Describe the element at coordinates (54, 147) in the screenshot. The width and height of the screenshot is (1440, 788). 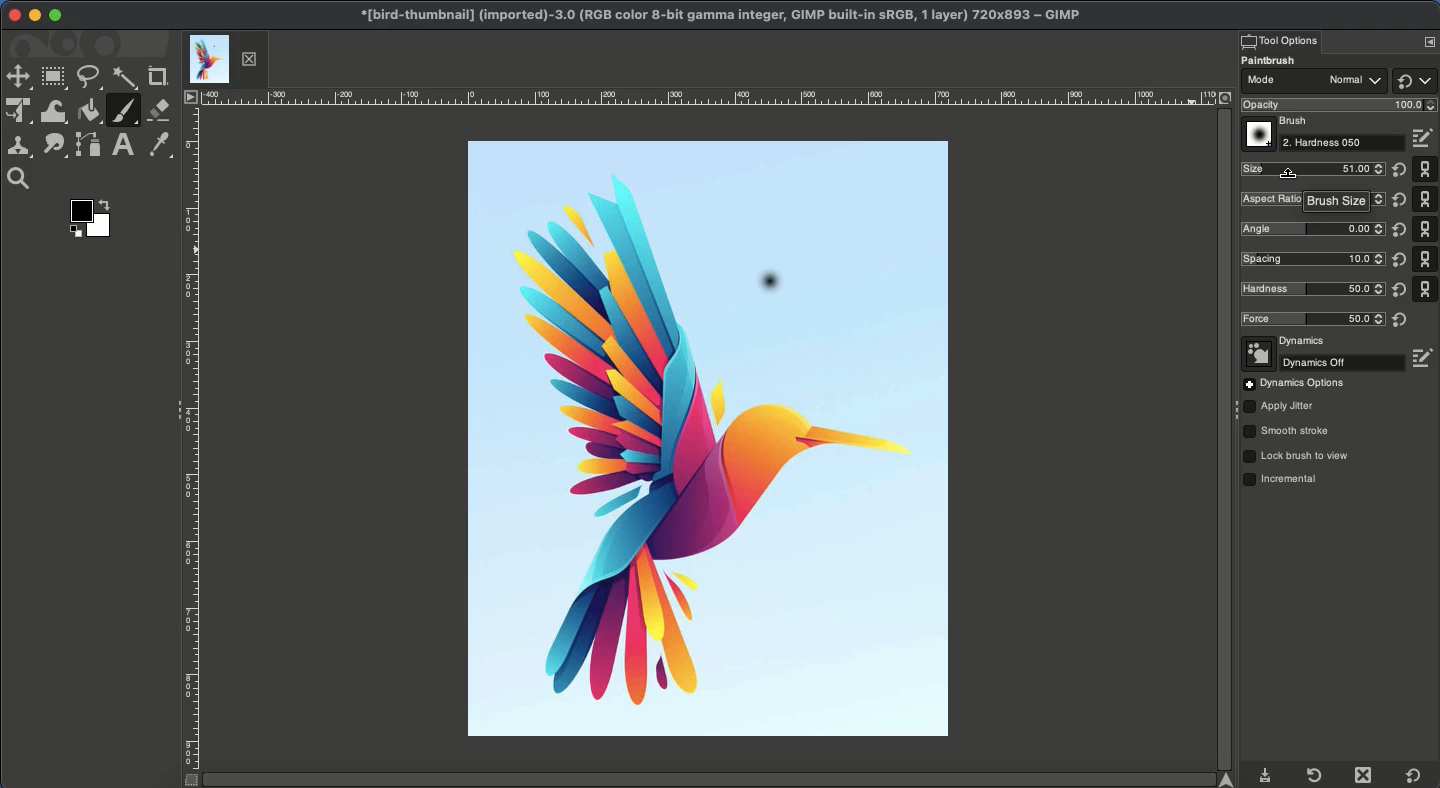
I see `Smudge` at that location.